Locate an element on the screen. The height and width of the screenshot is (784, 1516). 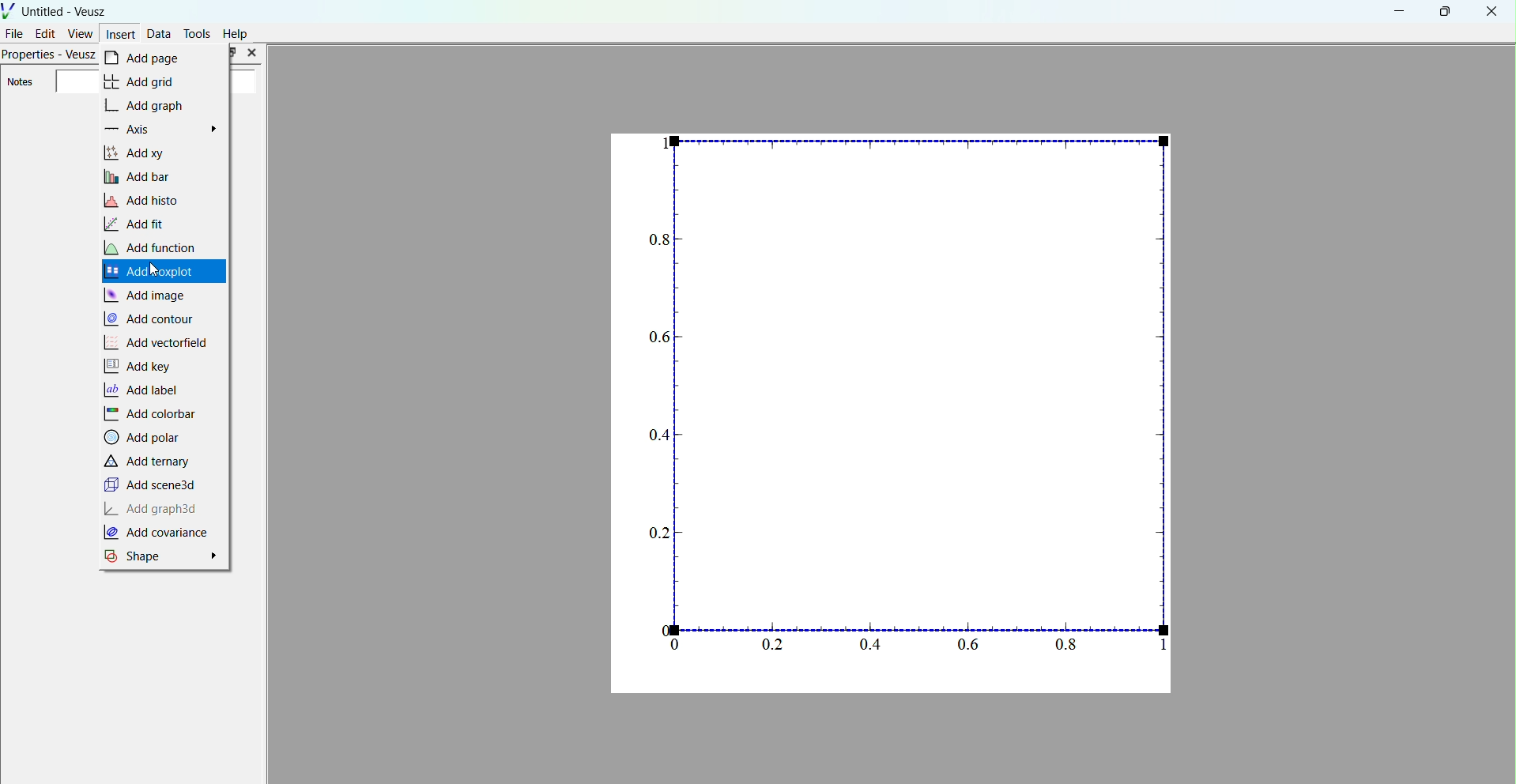
Add page is located at coordinates (145, 58).